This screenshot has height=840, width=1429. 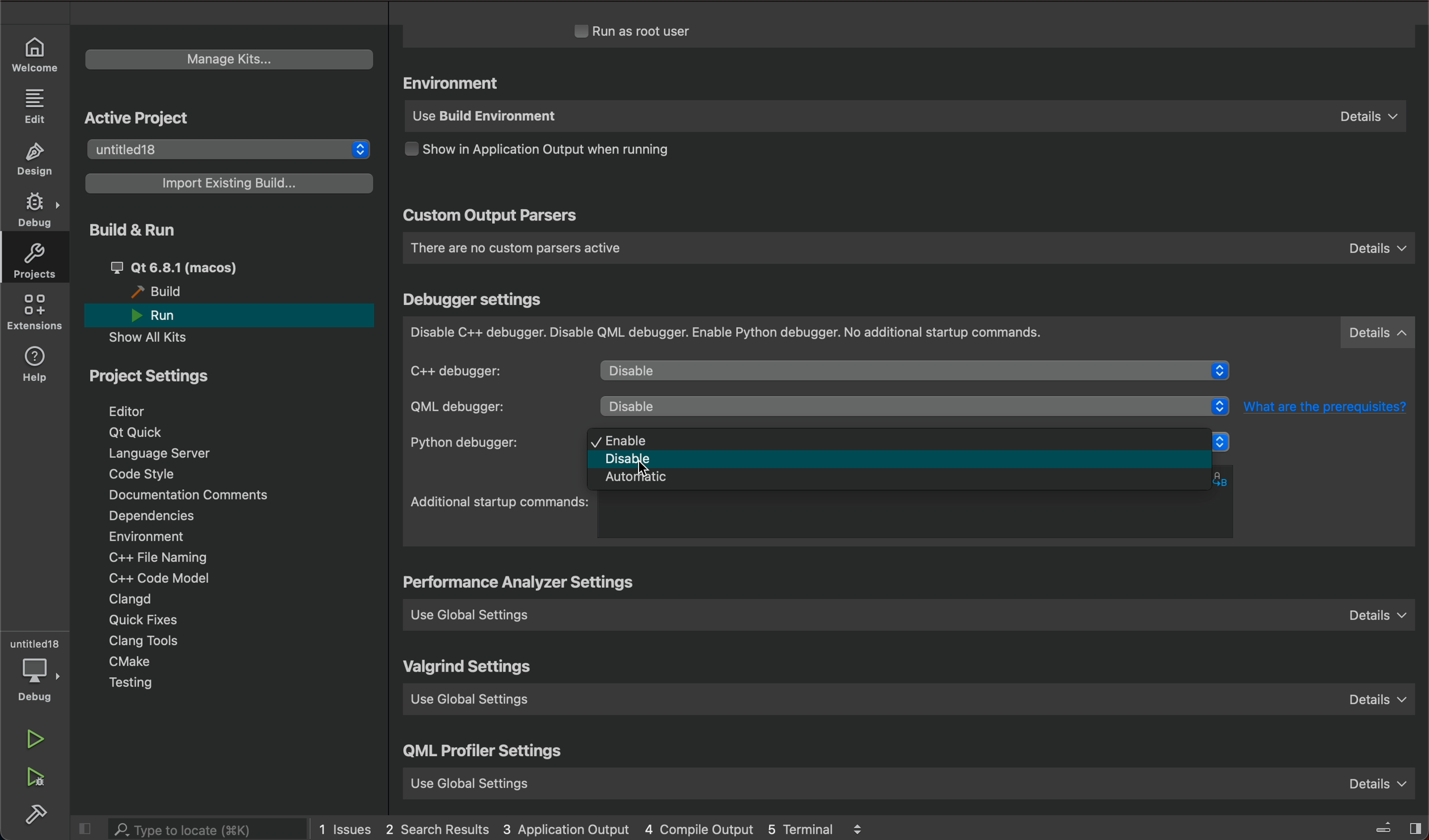 What do you see at coordinates (35, 738) in the screenshot?
I see `run` at bounding box center [35, 738].